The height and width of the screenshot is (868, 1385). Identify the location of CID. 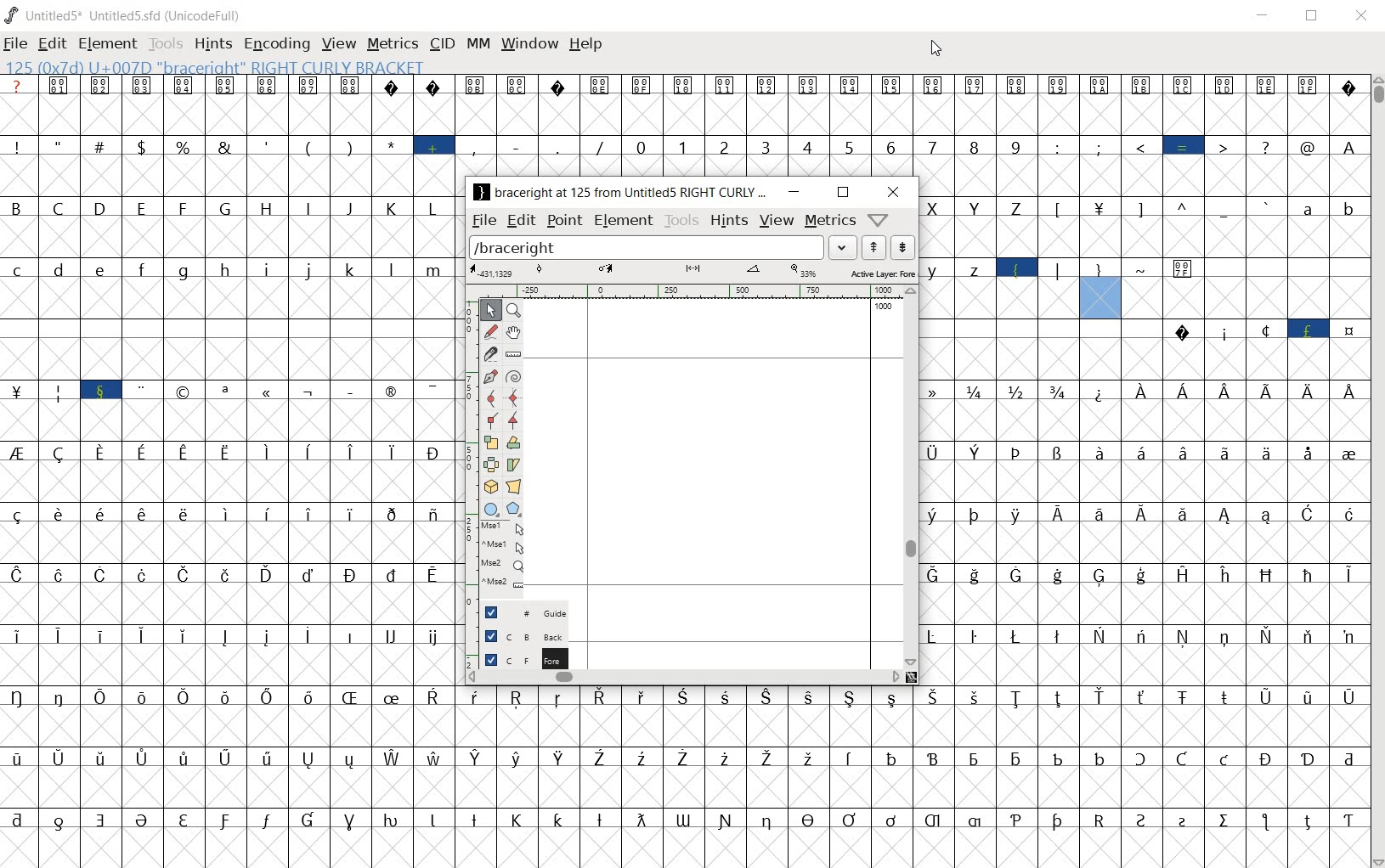
(442, 44).